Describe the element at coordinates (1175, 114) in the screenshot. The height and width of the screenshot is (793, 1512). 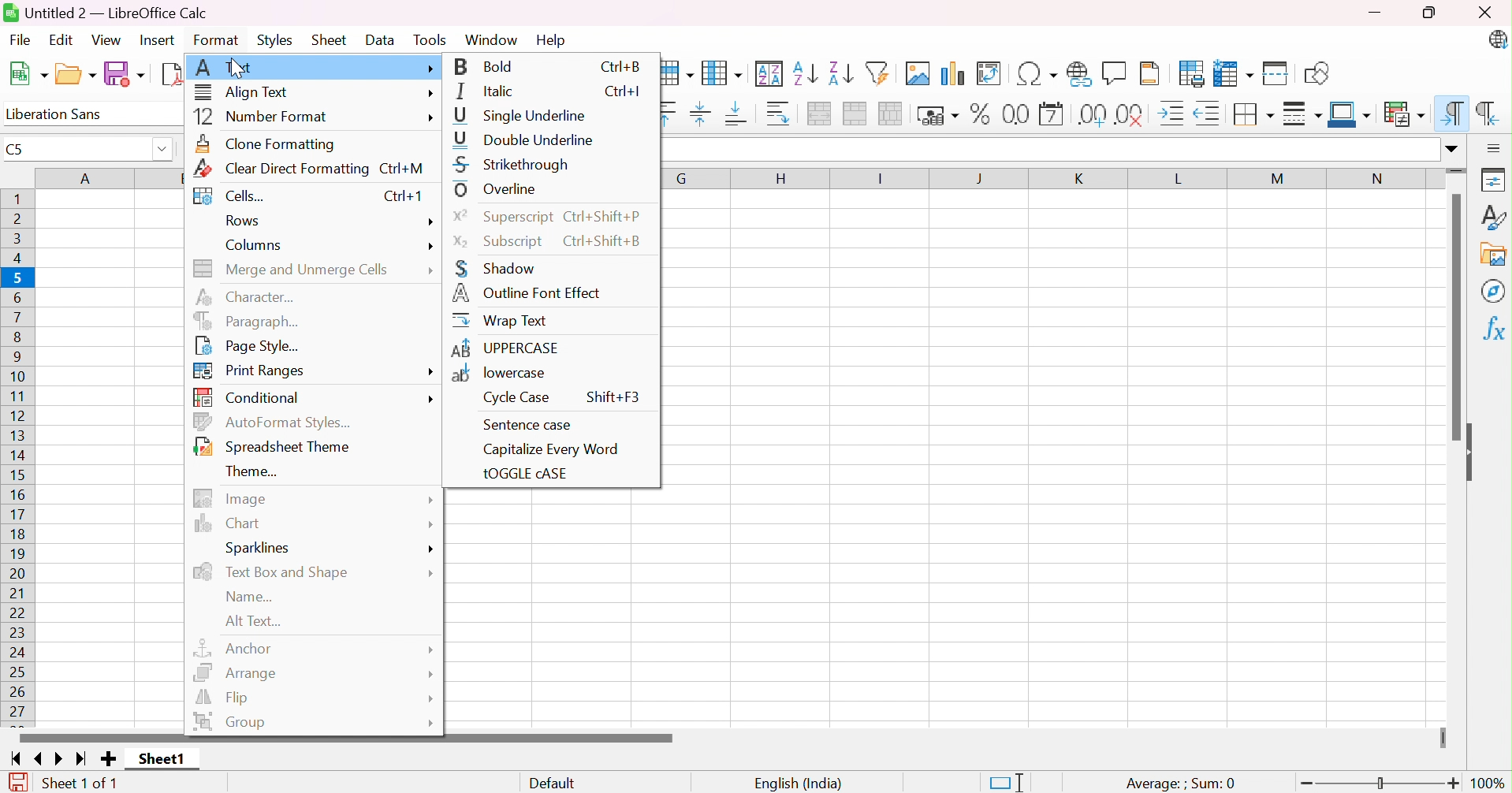
I see `Increase Indent` at that location.